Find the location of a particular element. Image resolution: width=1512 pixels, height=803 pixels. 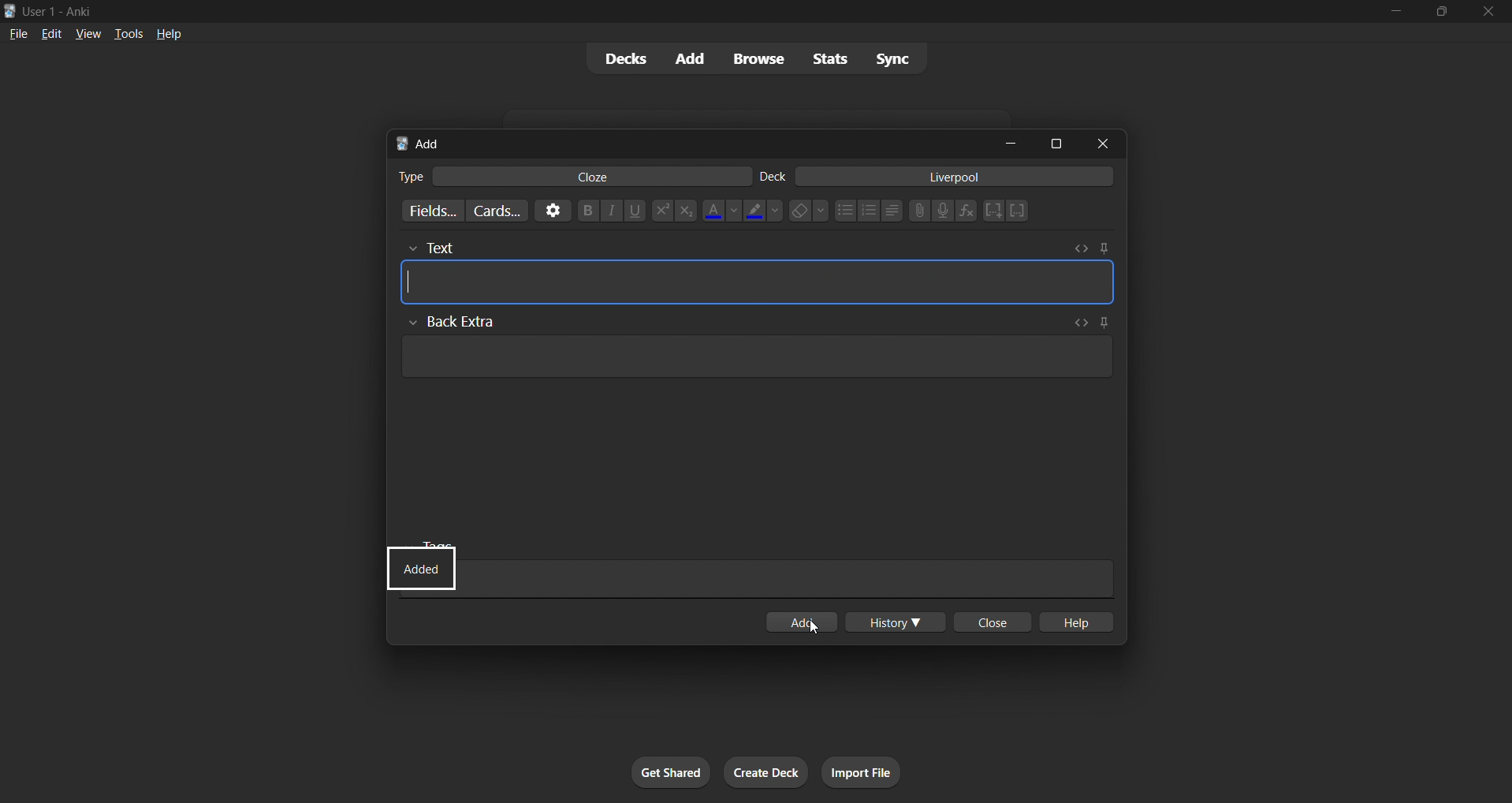

add is located at coordinates (810, 623).